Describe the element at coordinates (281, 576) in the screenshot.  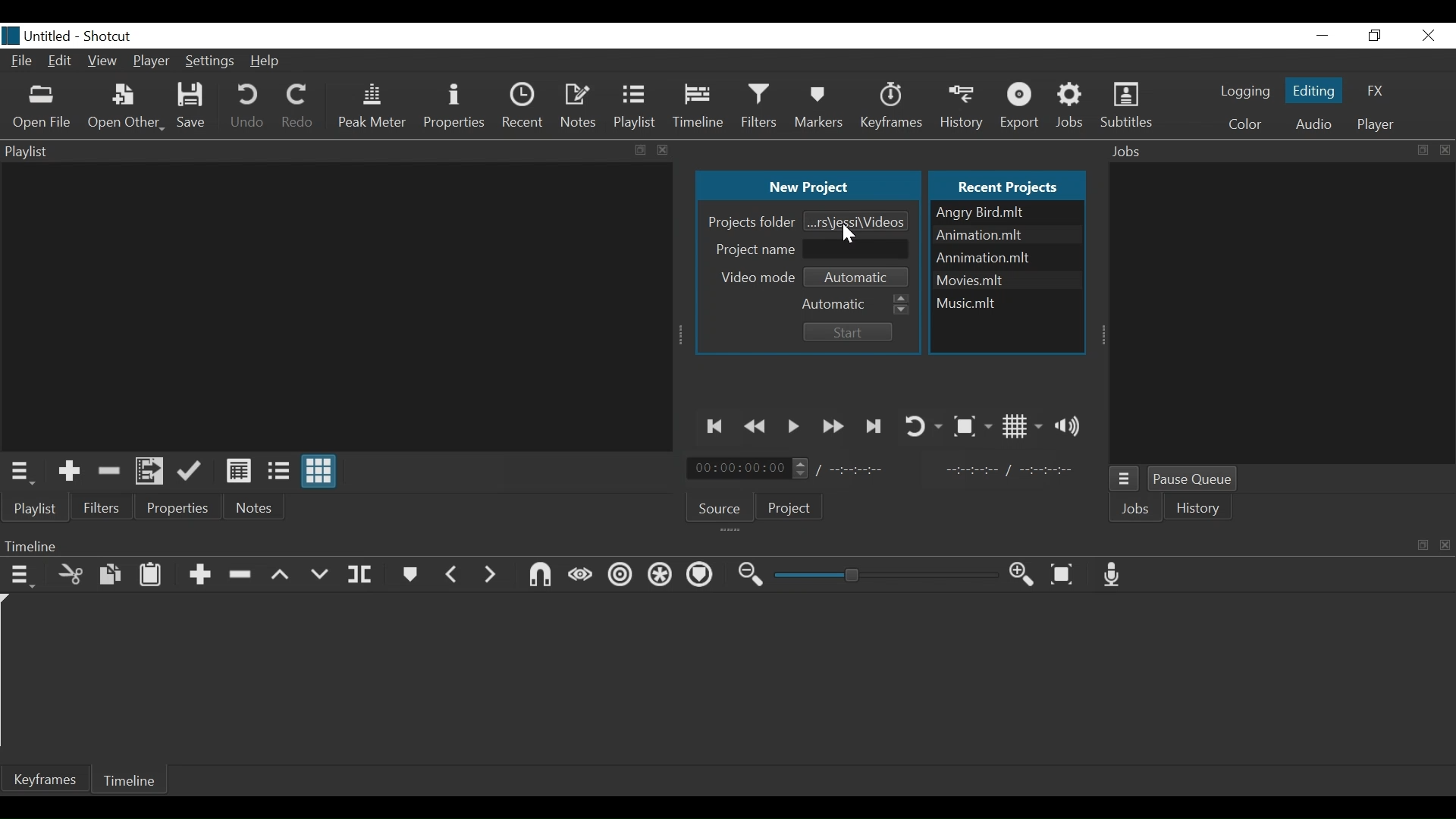
I see `Lift` at that location.